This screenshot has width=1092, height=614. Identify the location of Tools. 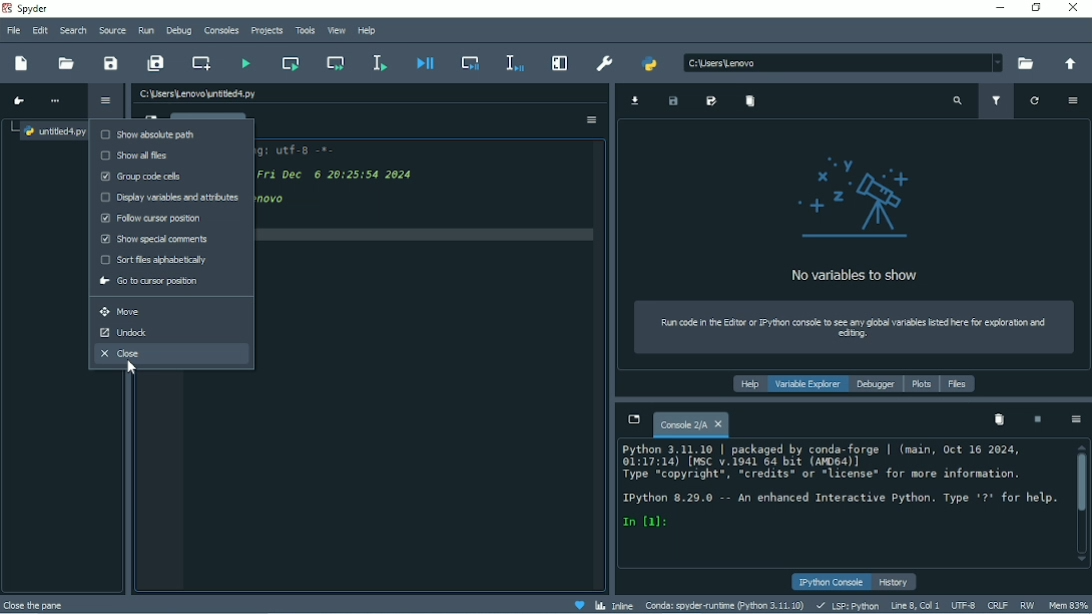
(306, 30).